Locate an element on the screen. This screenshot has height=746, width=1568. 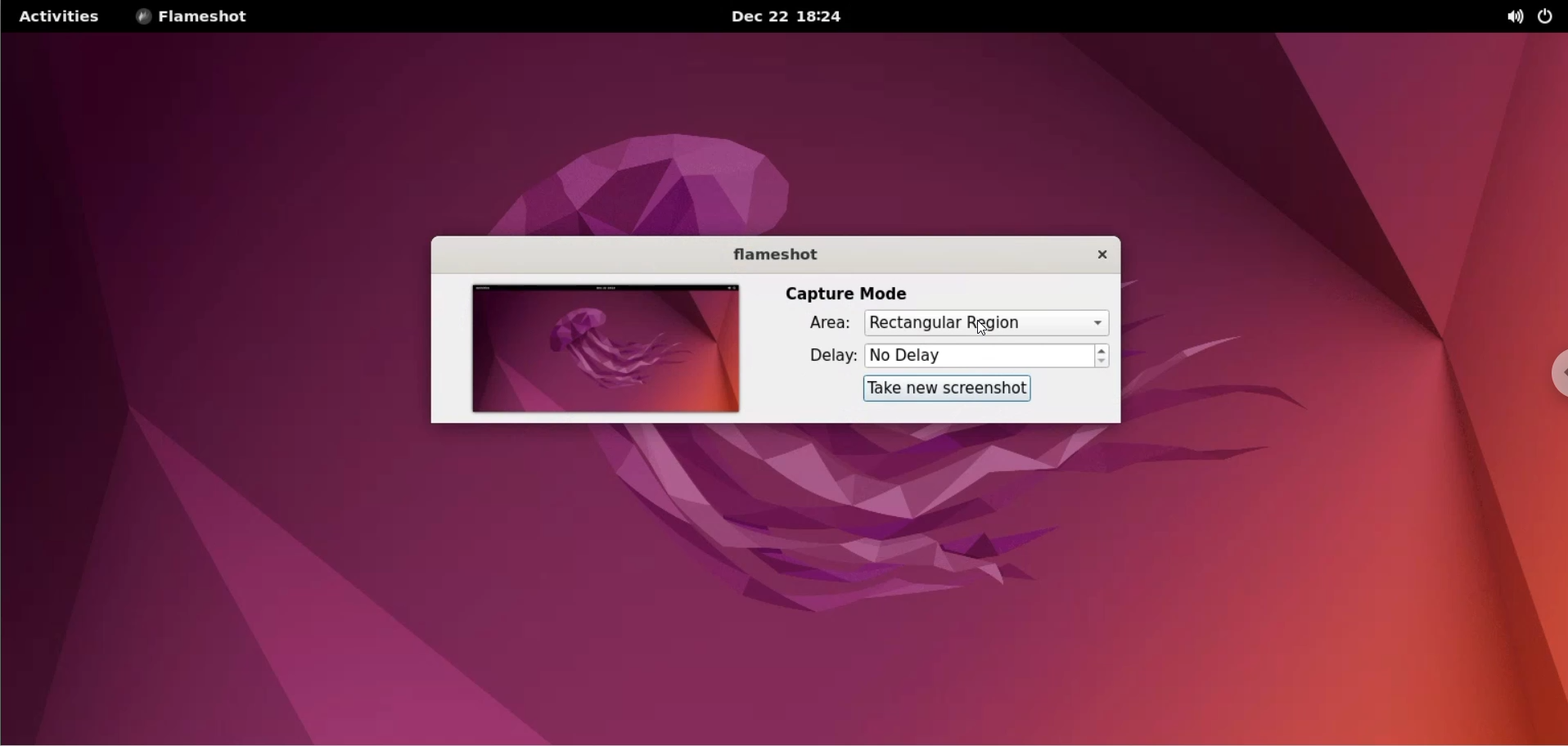
chrome options is located at coordinates (1548, 361).